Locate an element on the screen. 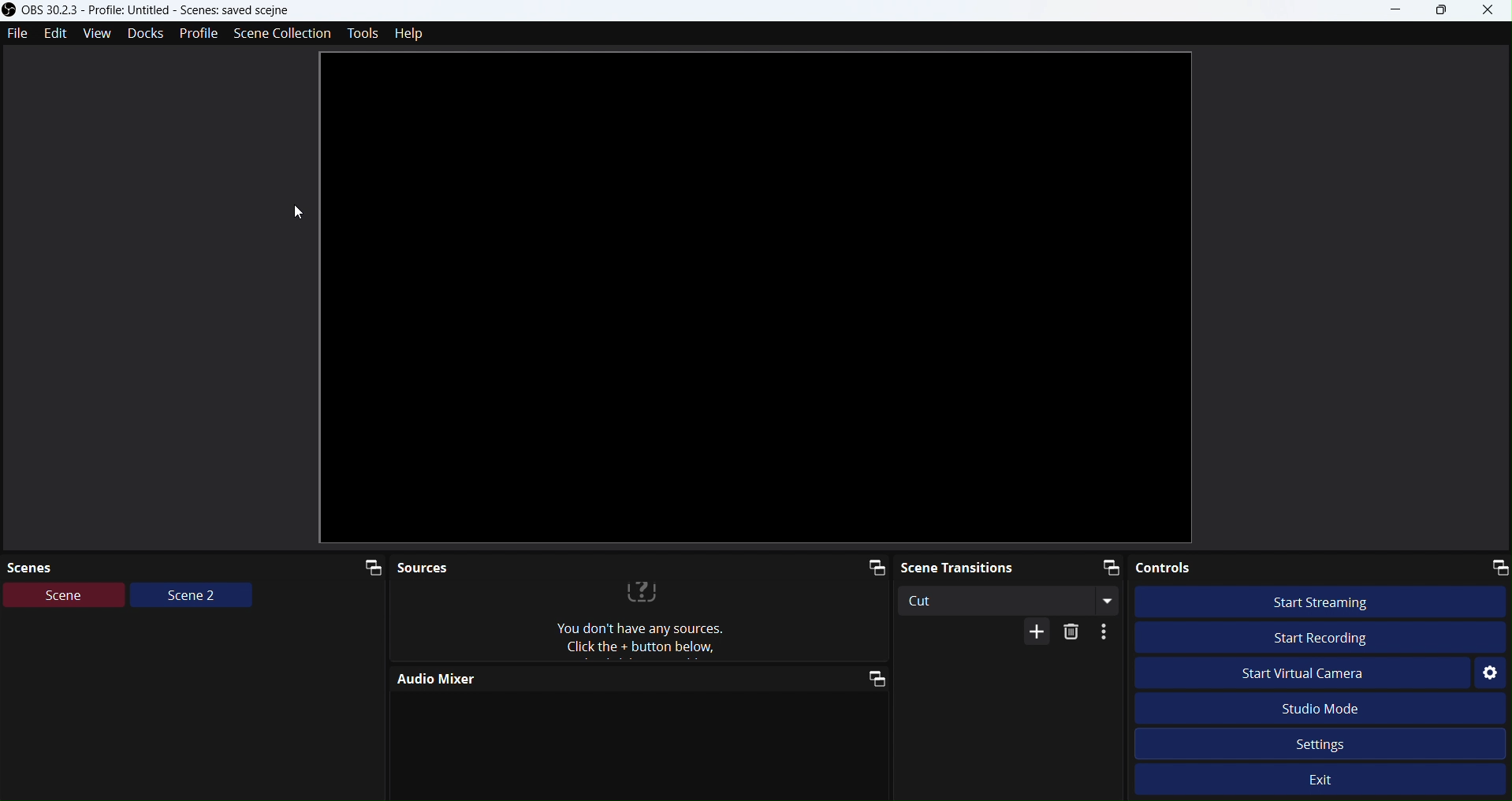 This screenshot has width=1512, height=801. More is located at coordinates (1039, 631).